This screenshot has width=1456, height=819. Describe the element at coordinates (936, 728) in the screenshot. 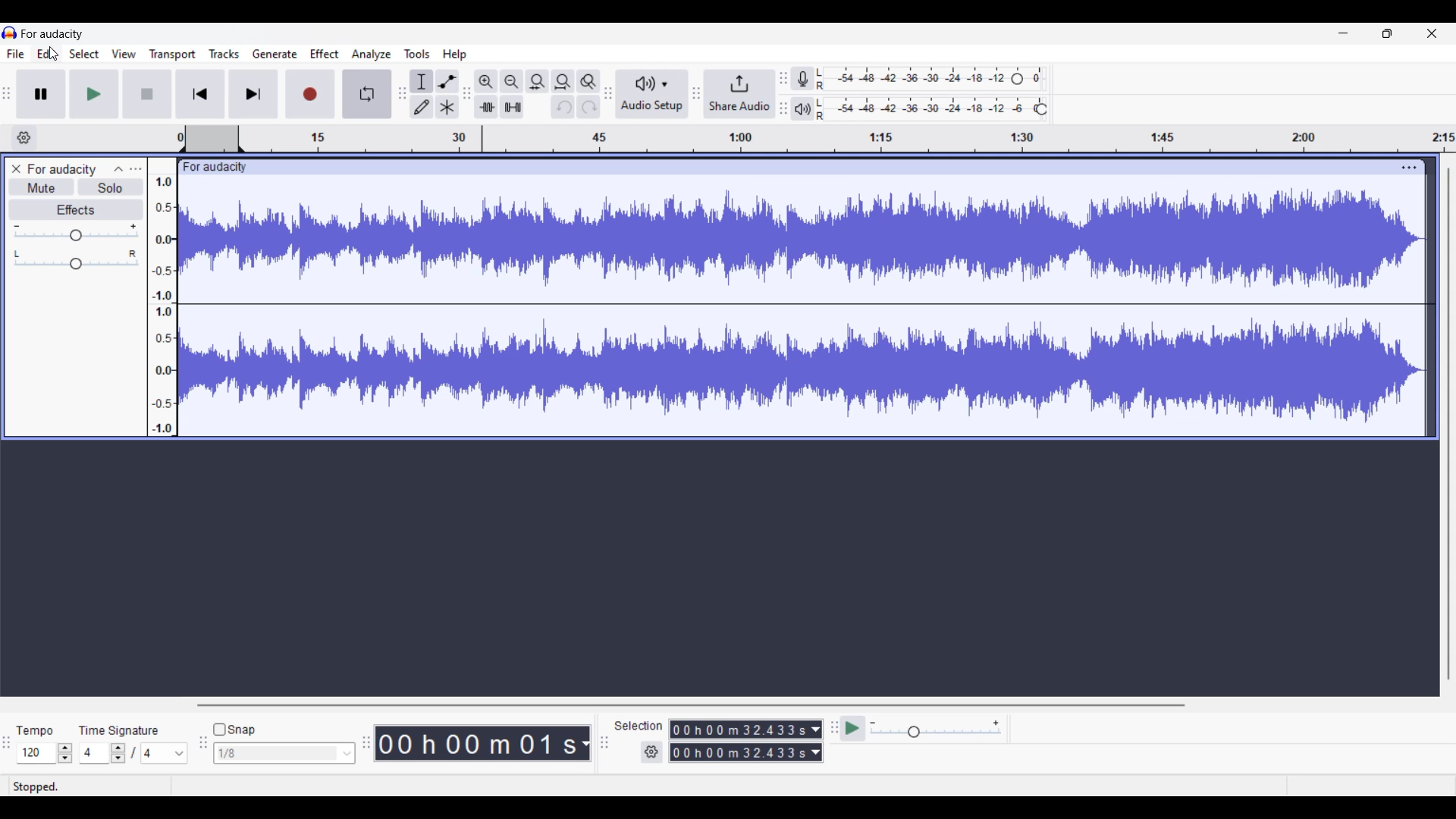

I see `Playback speed scale` at that location.